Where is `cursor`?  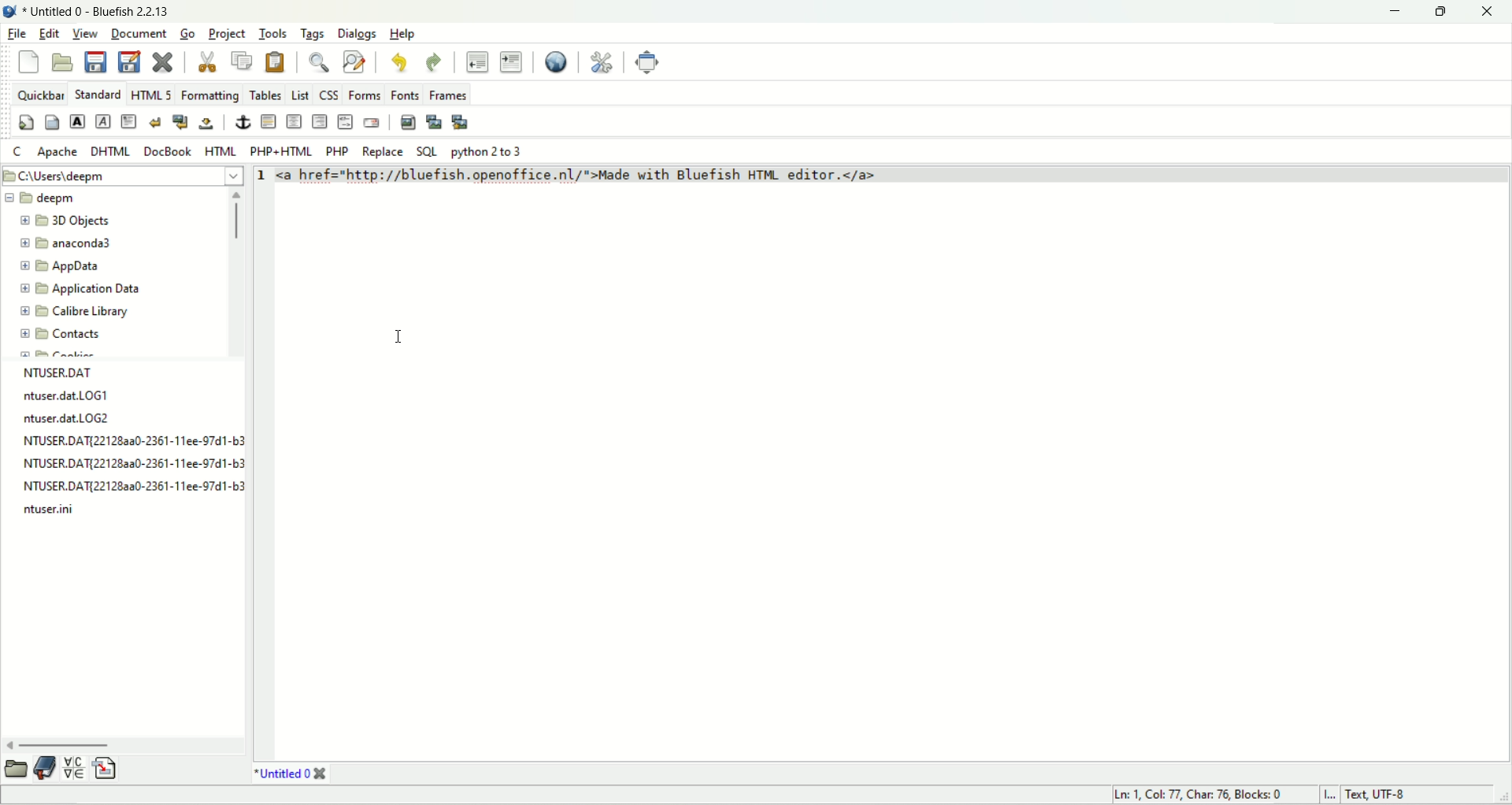 cursor is located at coordinates (396, 338).